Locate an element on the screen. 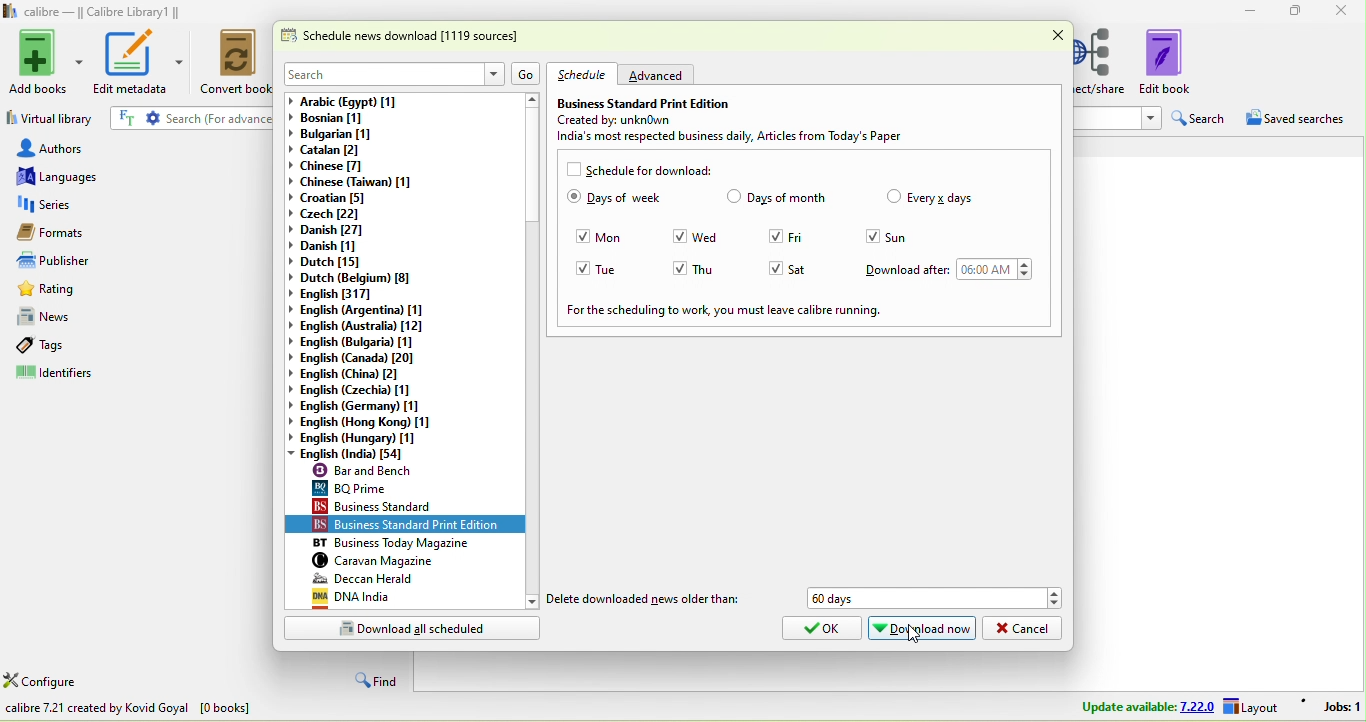 This screenshot has width=1366, height=722. formats is located at coordinates (139, 233).